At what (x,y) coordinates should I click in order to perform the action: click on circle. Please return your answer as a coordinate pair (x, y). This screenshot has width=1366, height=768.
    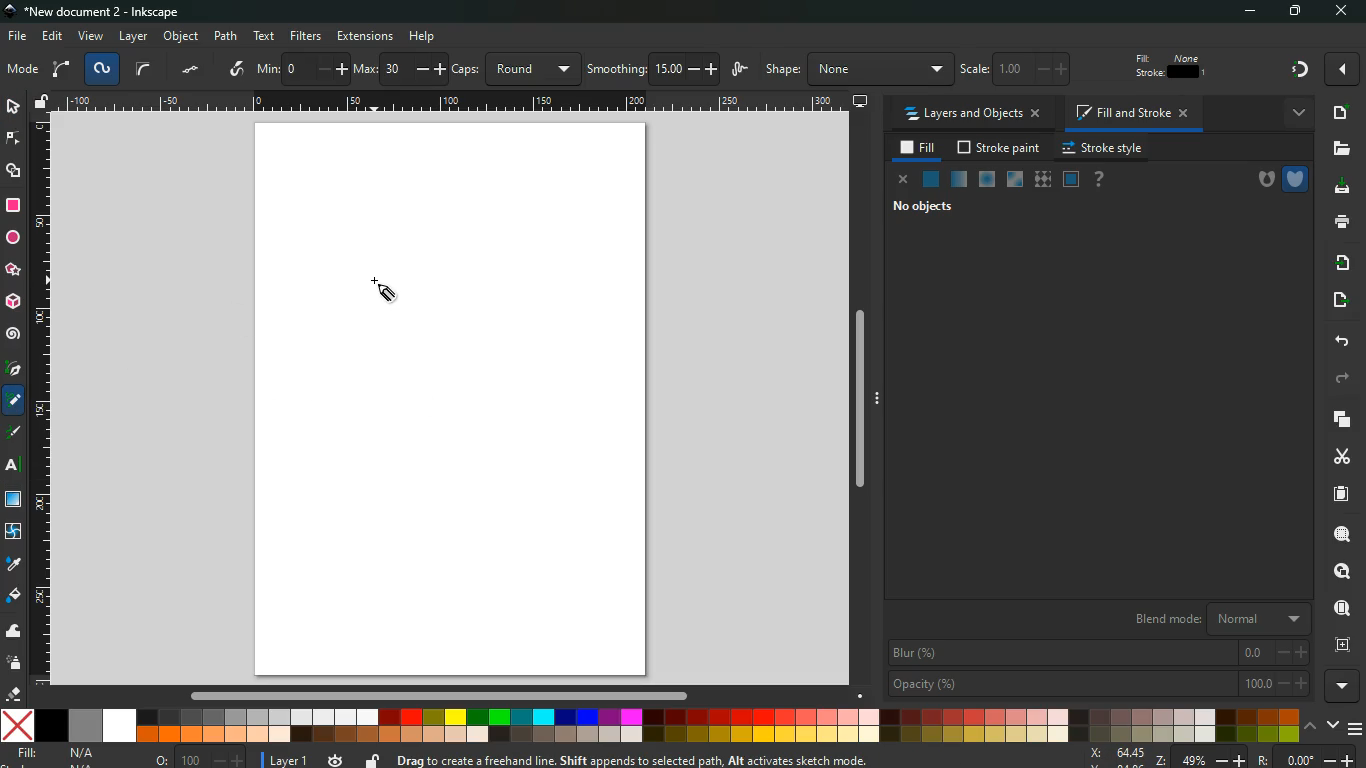
    Looking at the image, I should click on (12, 239).